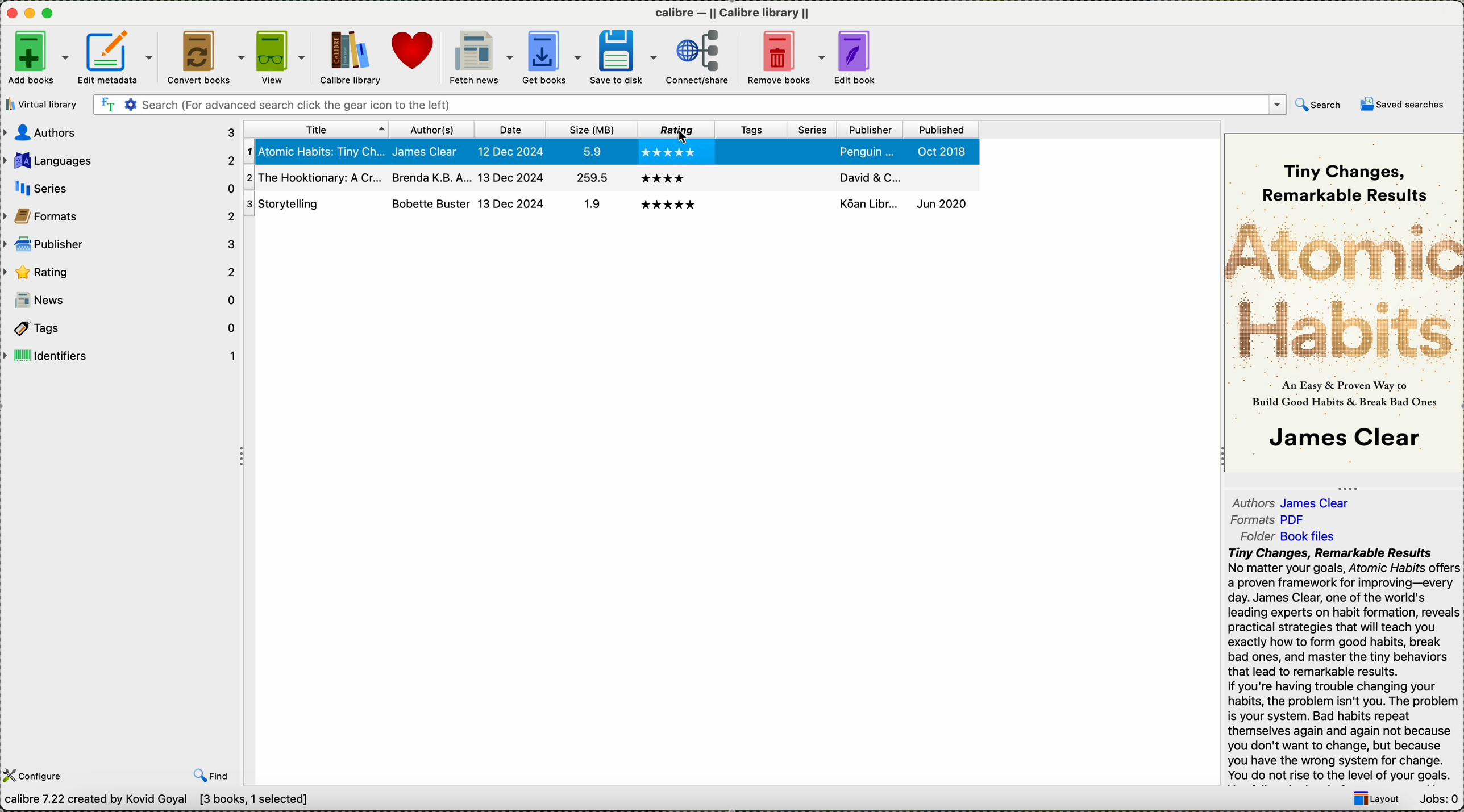 Image resolution: width=1464 pixels, height=812 pixels. Describe the element at coordinates (626, 56) in the screenshot. I see `save to disk` at that location.